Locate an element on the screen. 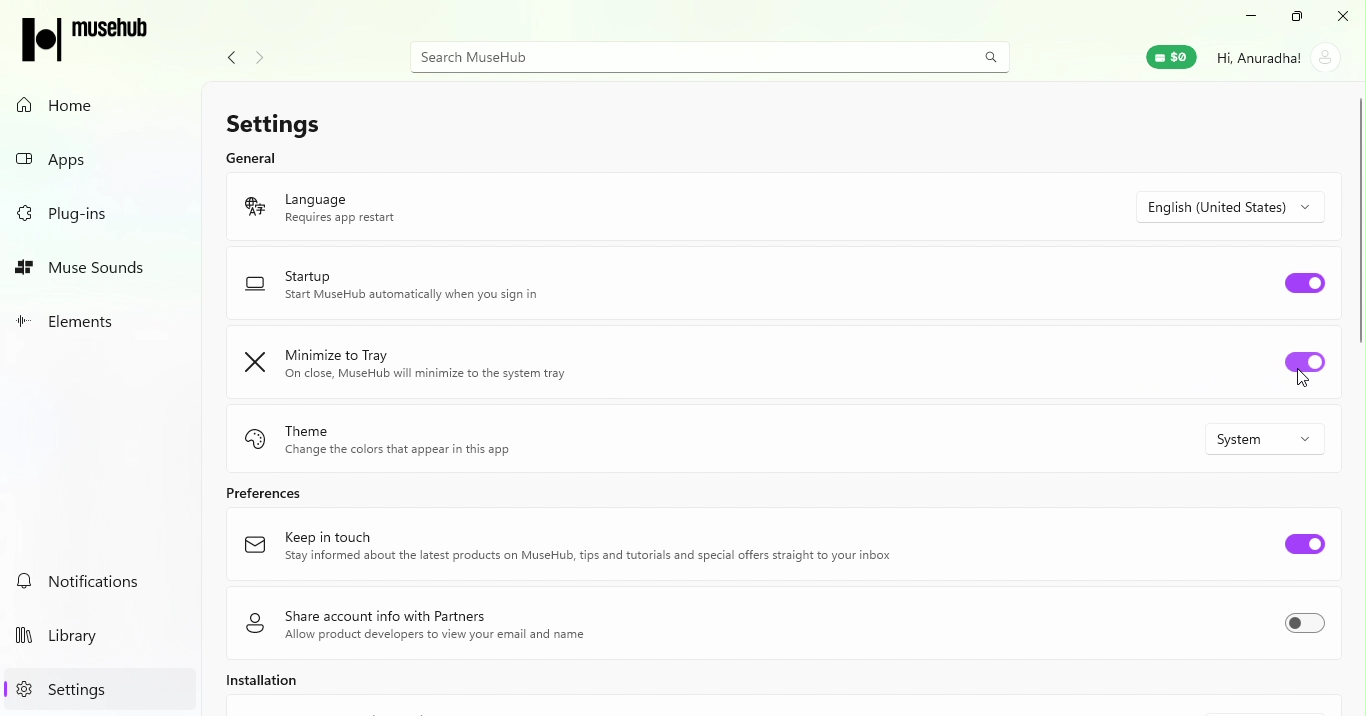 Image resolution: width=1366 pixels, height=716 pixels. Preferences is located at coordinates (275, 498).